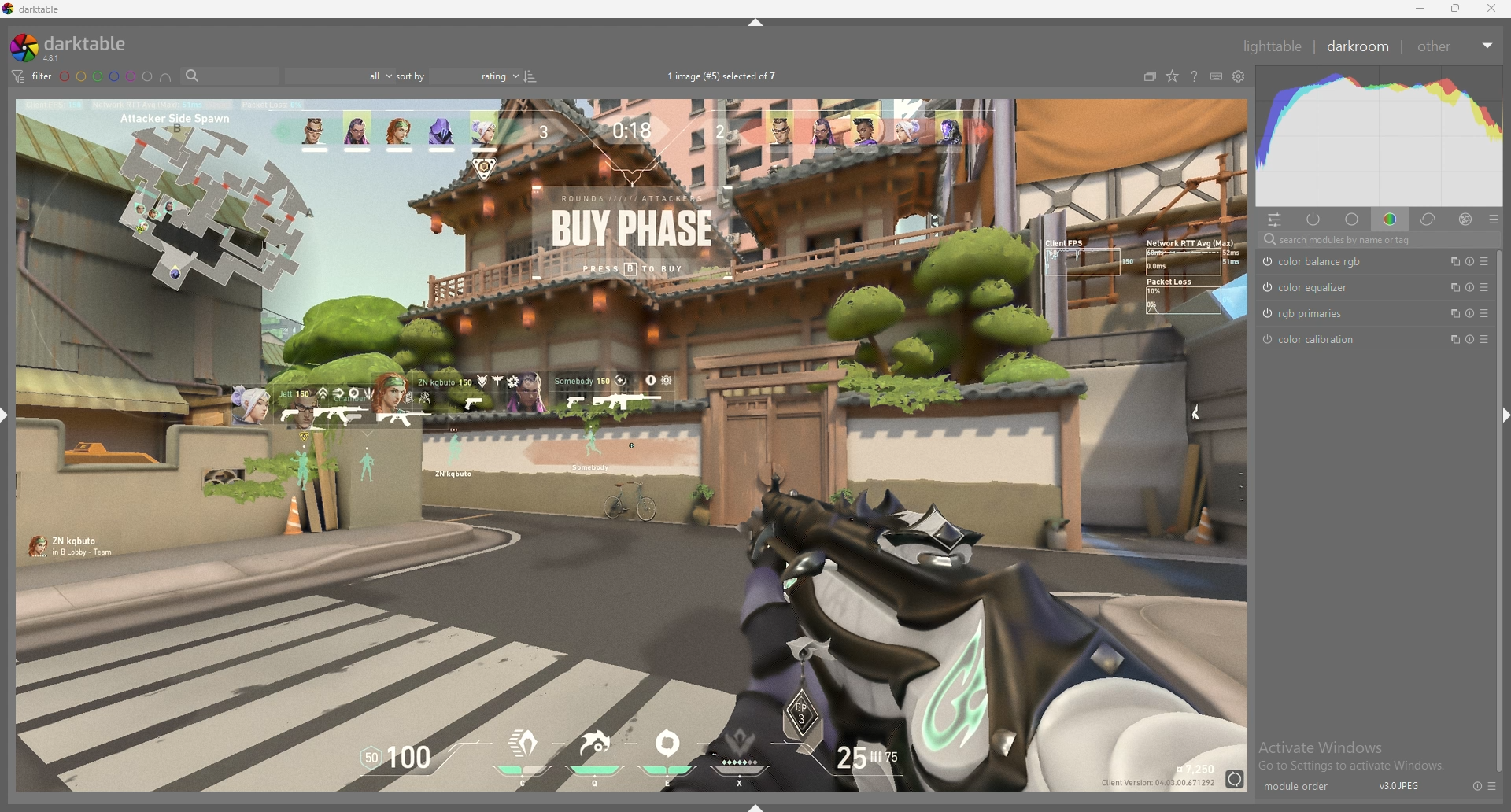  What do you see at coordinates (1359, 45) in the screenshot?
I see `darkroom` at bounding box center [1359, 45].